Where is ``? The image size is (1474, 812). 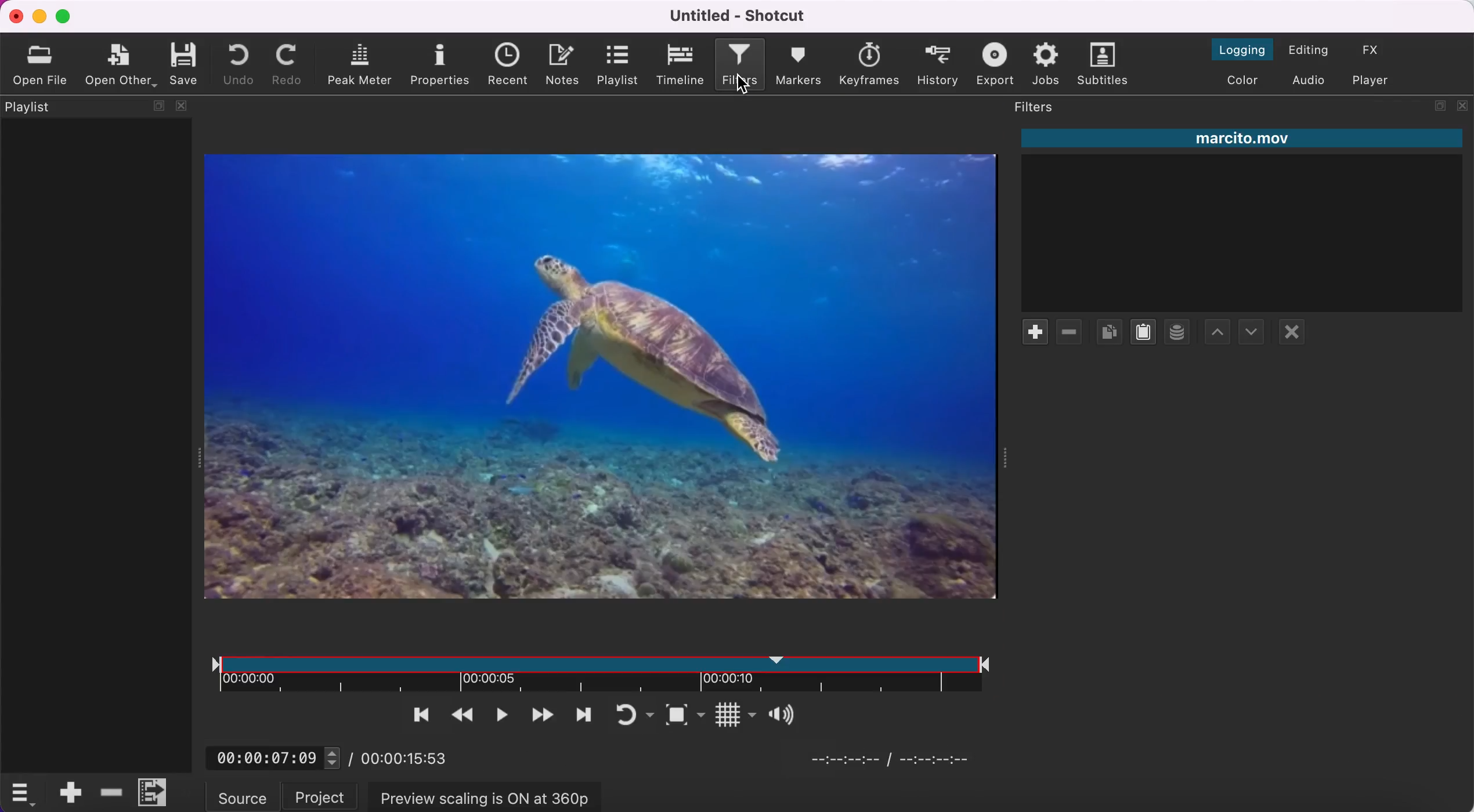
 is located at coordinates (718, 713).